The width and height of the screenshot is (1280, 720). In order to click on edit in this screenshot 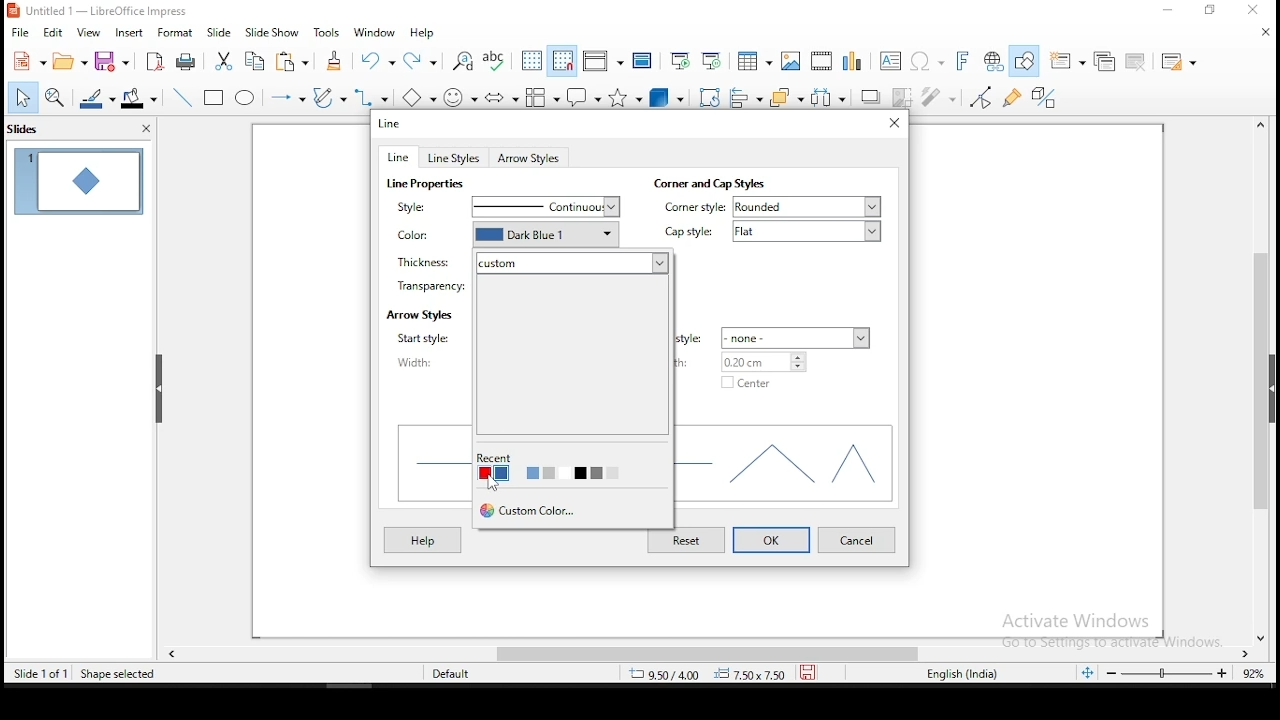, I will do `click(51, 32)`.